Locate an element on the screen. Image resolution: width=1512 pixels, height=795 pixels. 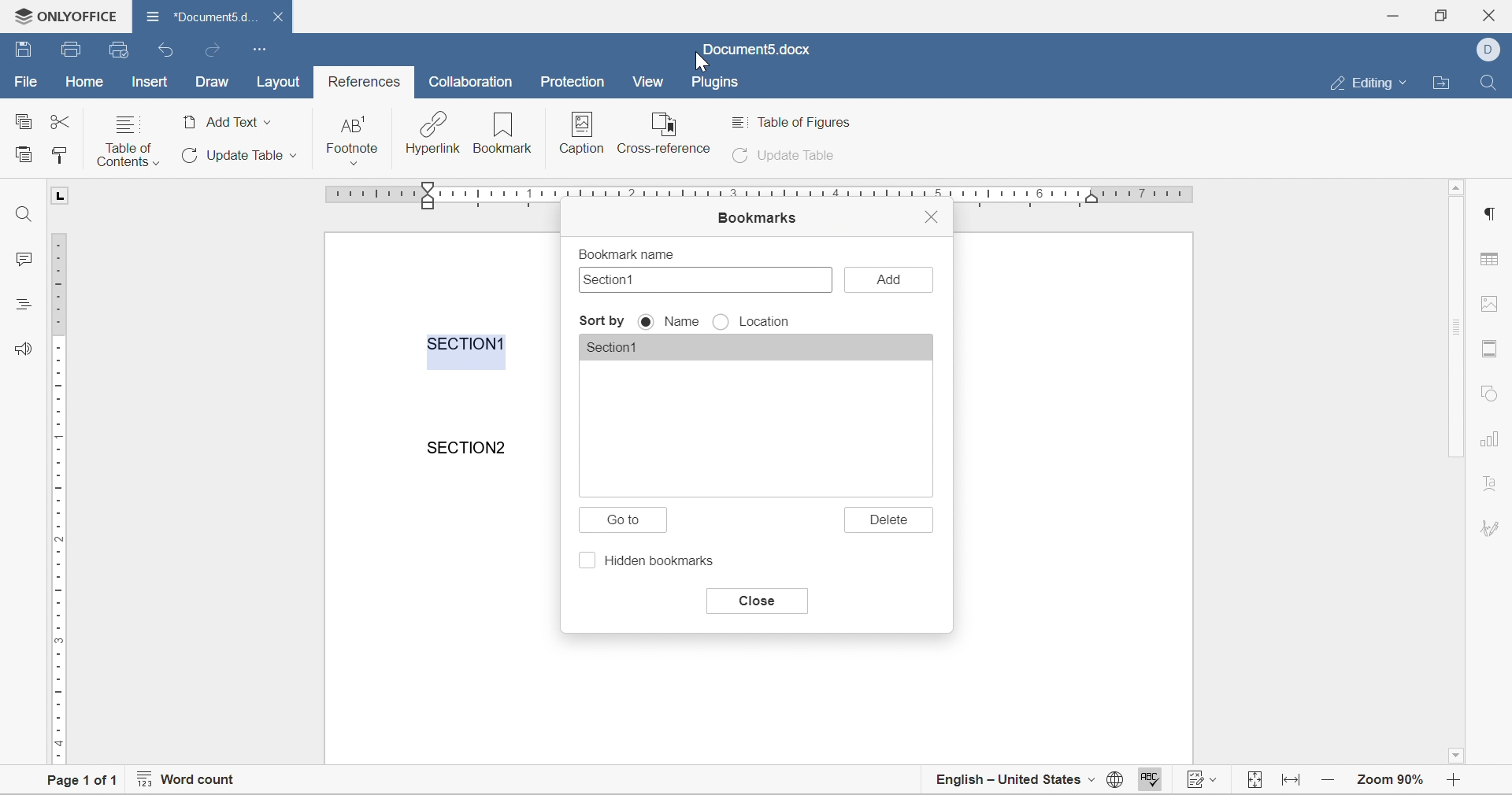
close is located at coordinates (932, 215).